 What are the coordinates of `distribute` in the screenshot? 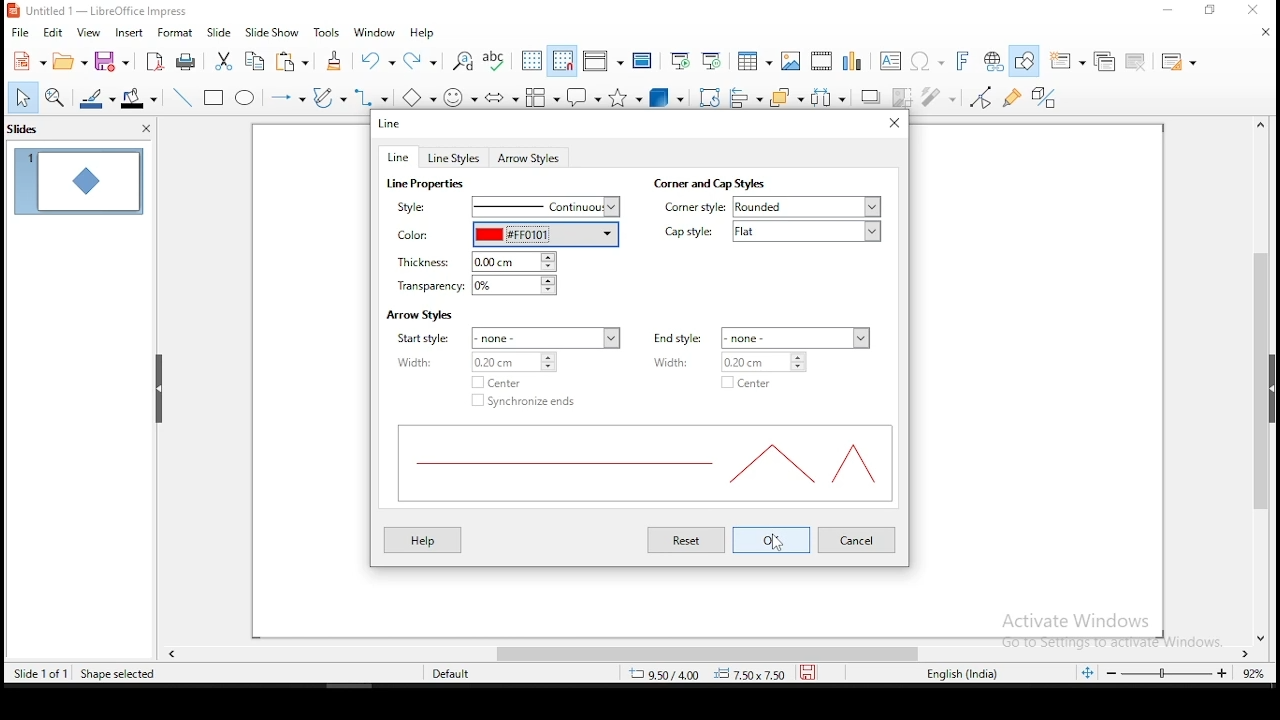 It's located at (829, 96).